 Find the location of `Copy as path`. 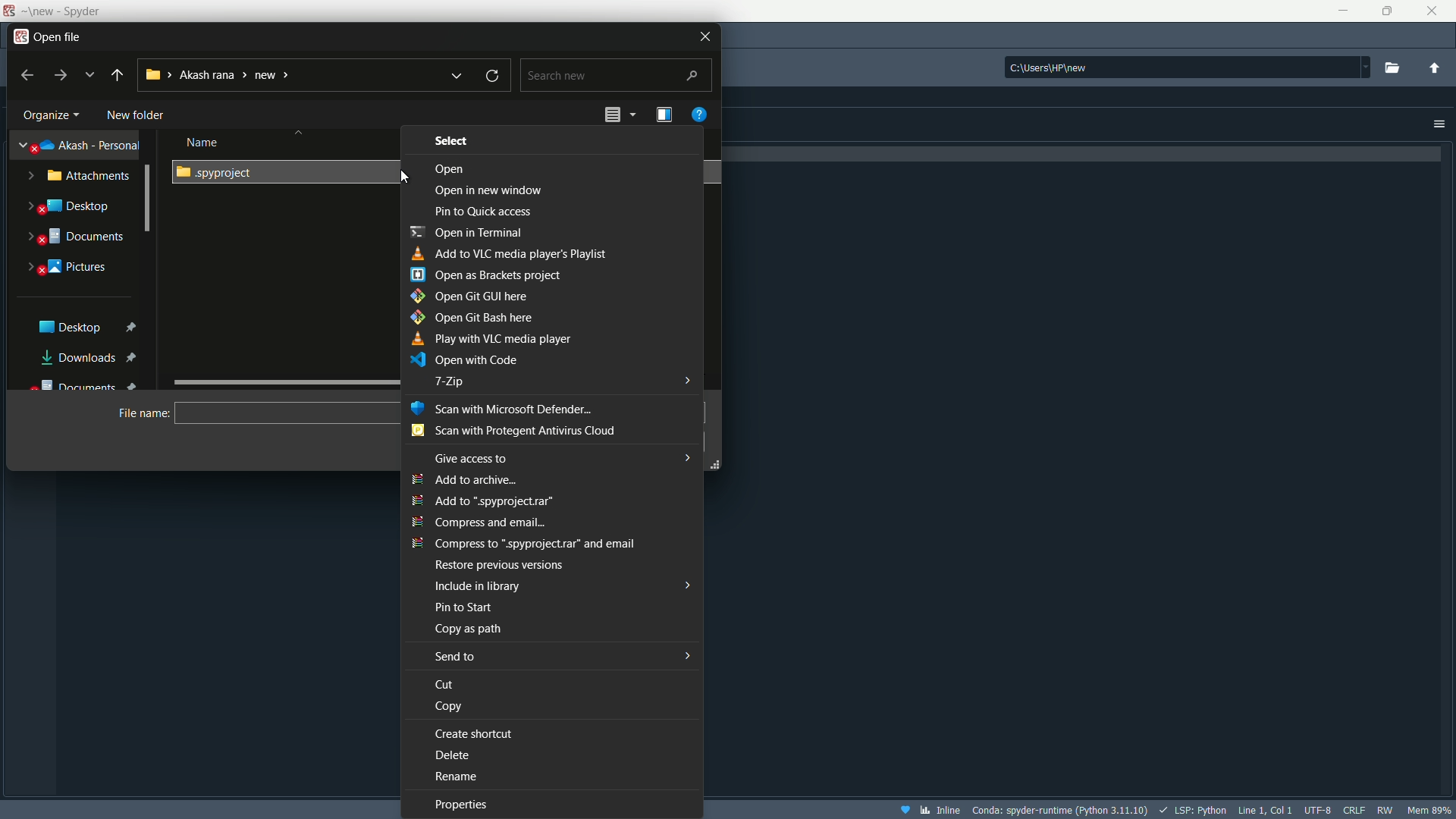

Copy as path is located at coordinates (473, 629).